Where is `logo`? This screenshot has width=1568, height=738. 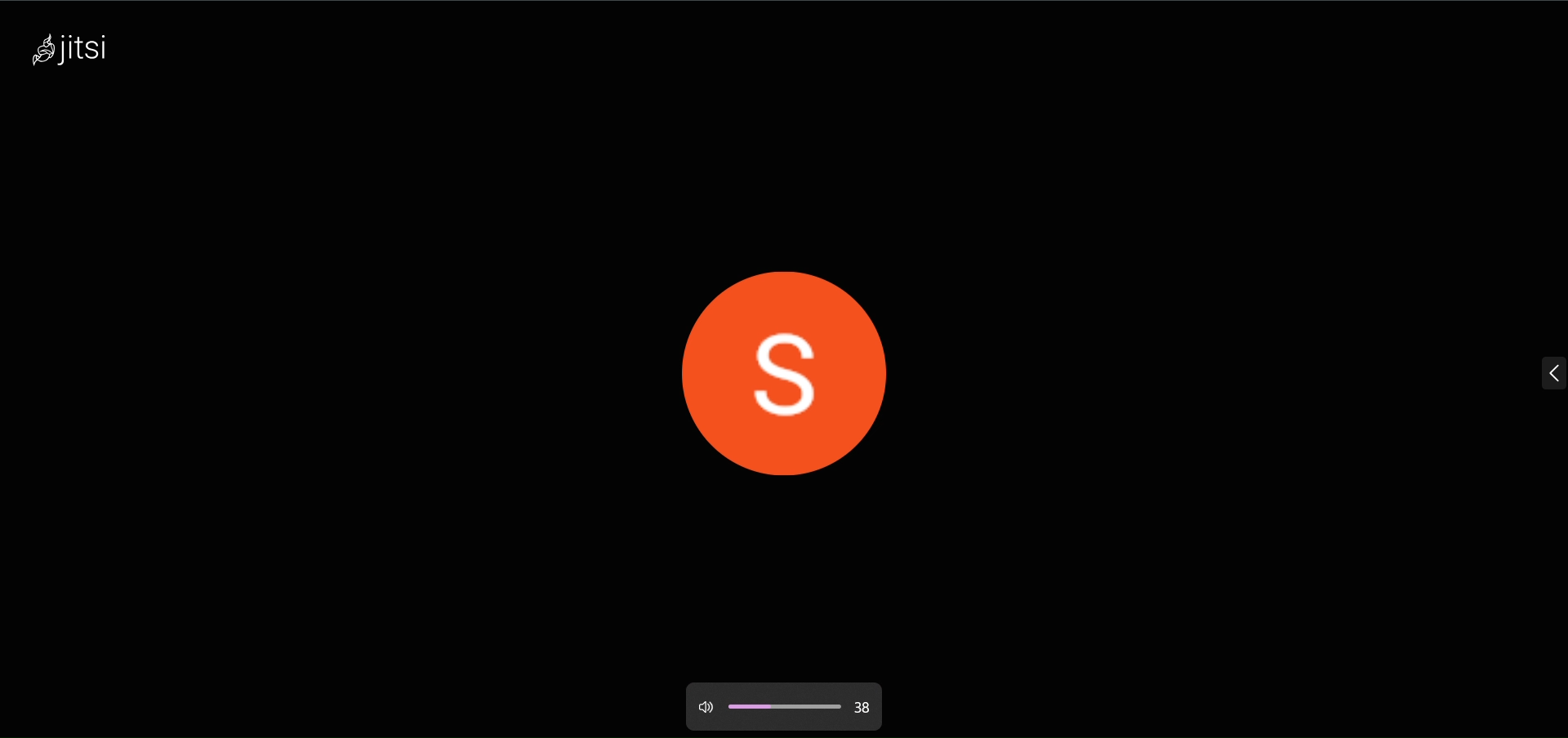
logo is located at coordinates (84, 52).